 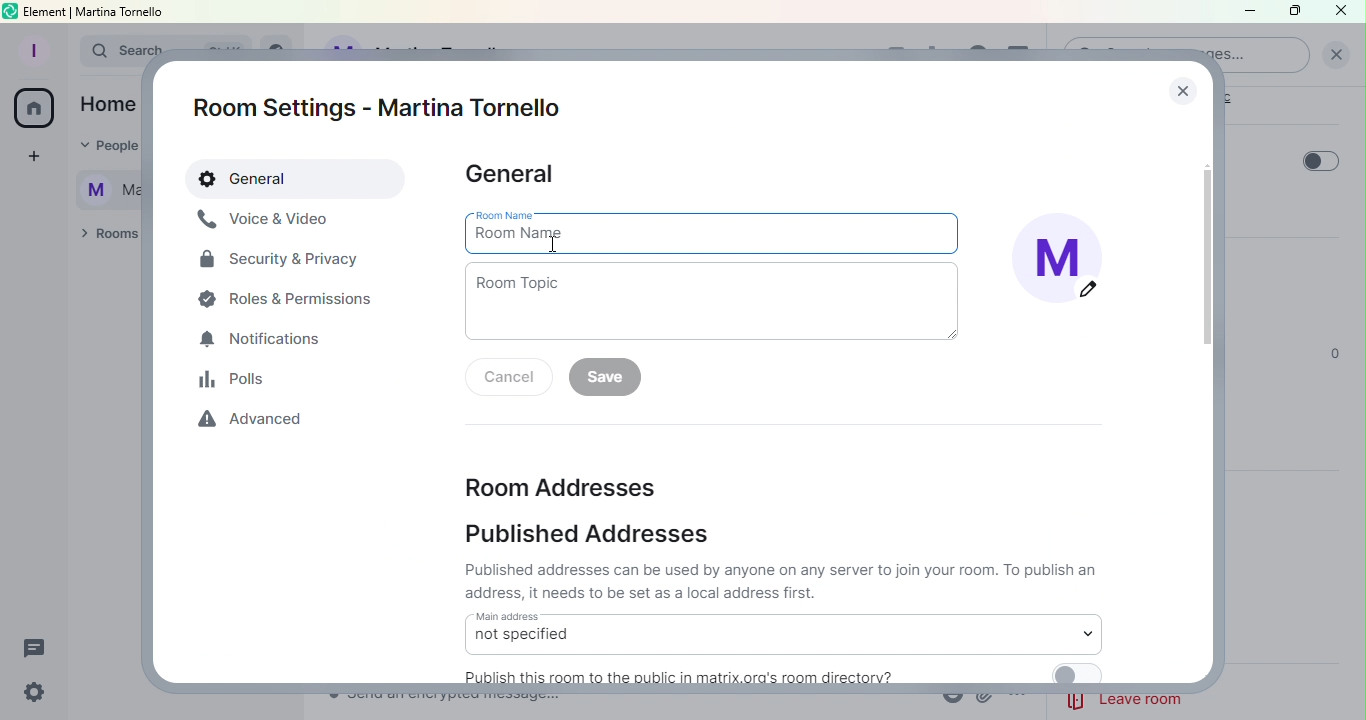 What do you see at coordinates (719, 302) in the screenshot?
I see `Room topic` at bounding box center [719, 302].